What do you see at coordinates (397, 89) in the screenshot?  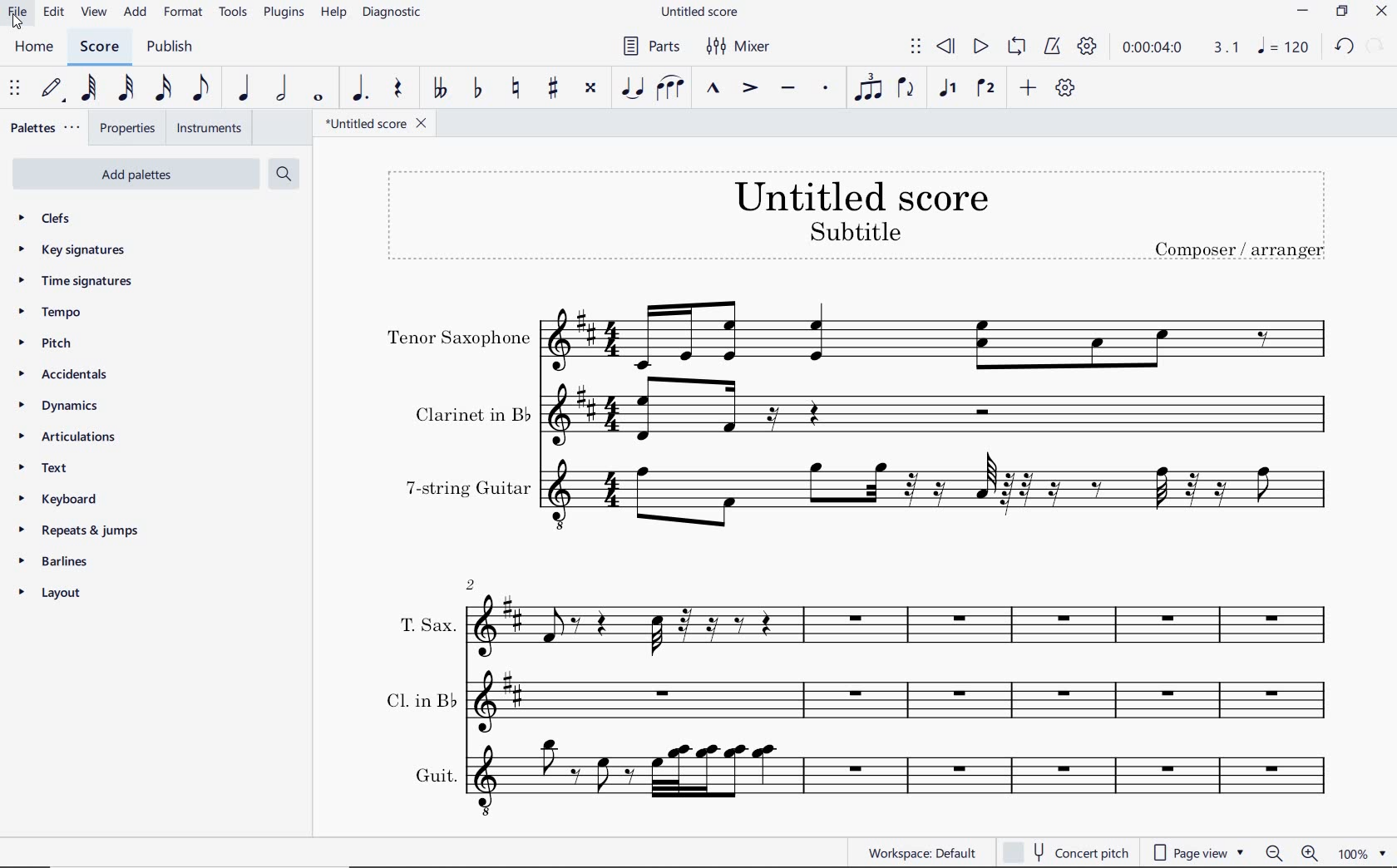 I see `REST` at bounding box center [397, 89].